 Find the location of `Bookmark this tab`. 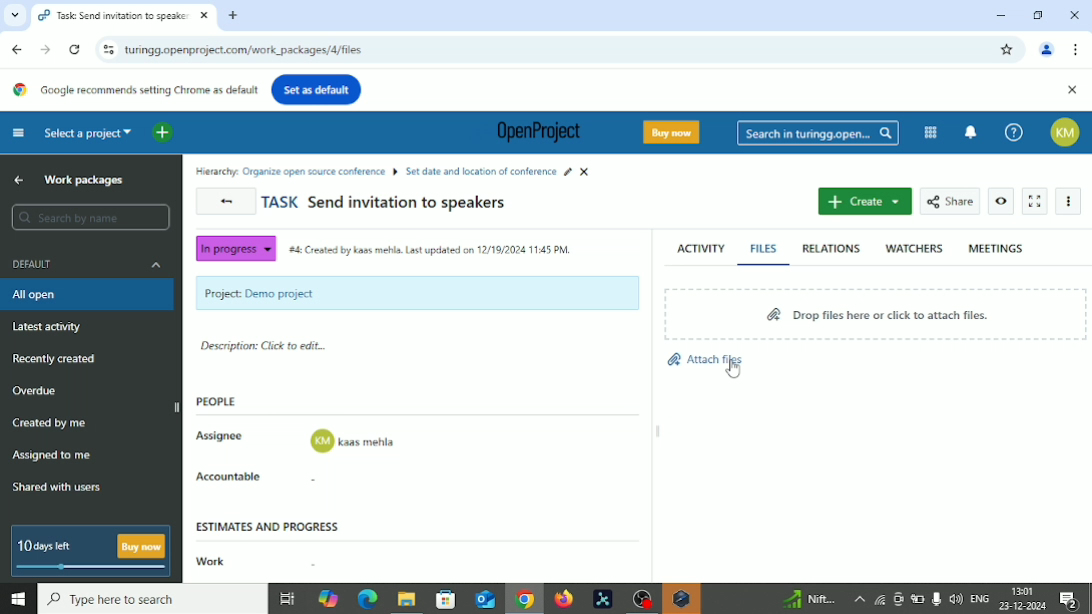

Bookmark this tab is located at coordinates (1007, 50).